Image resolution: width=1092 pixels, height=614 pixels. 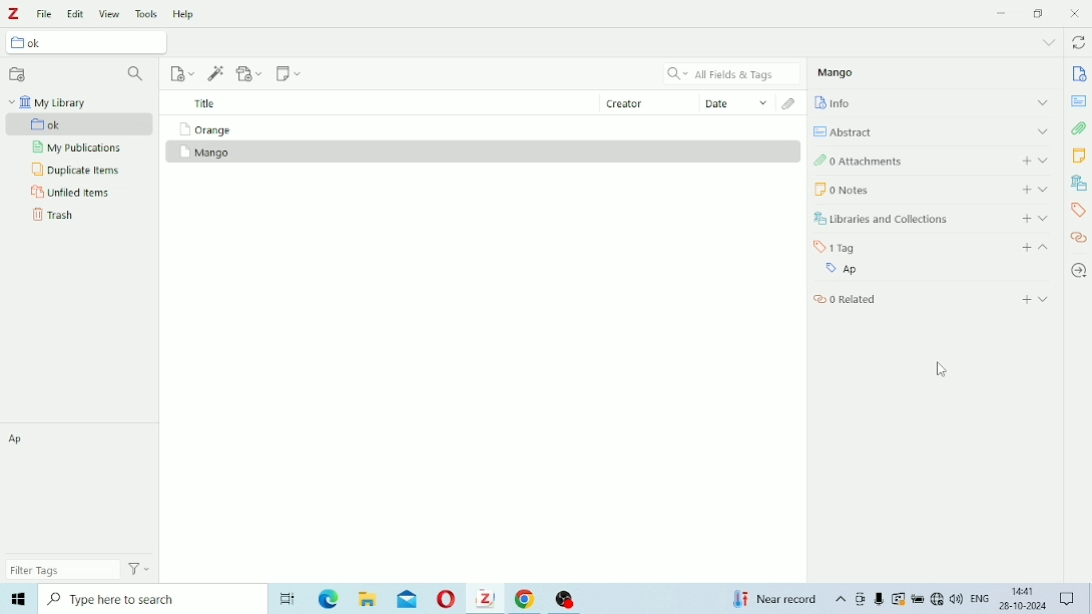 I want to click on Creator, so click(x=649, y=101).